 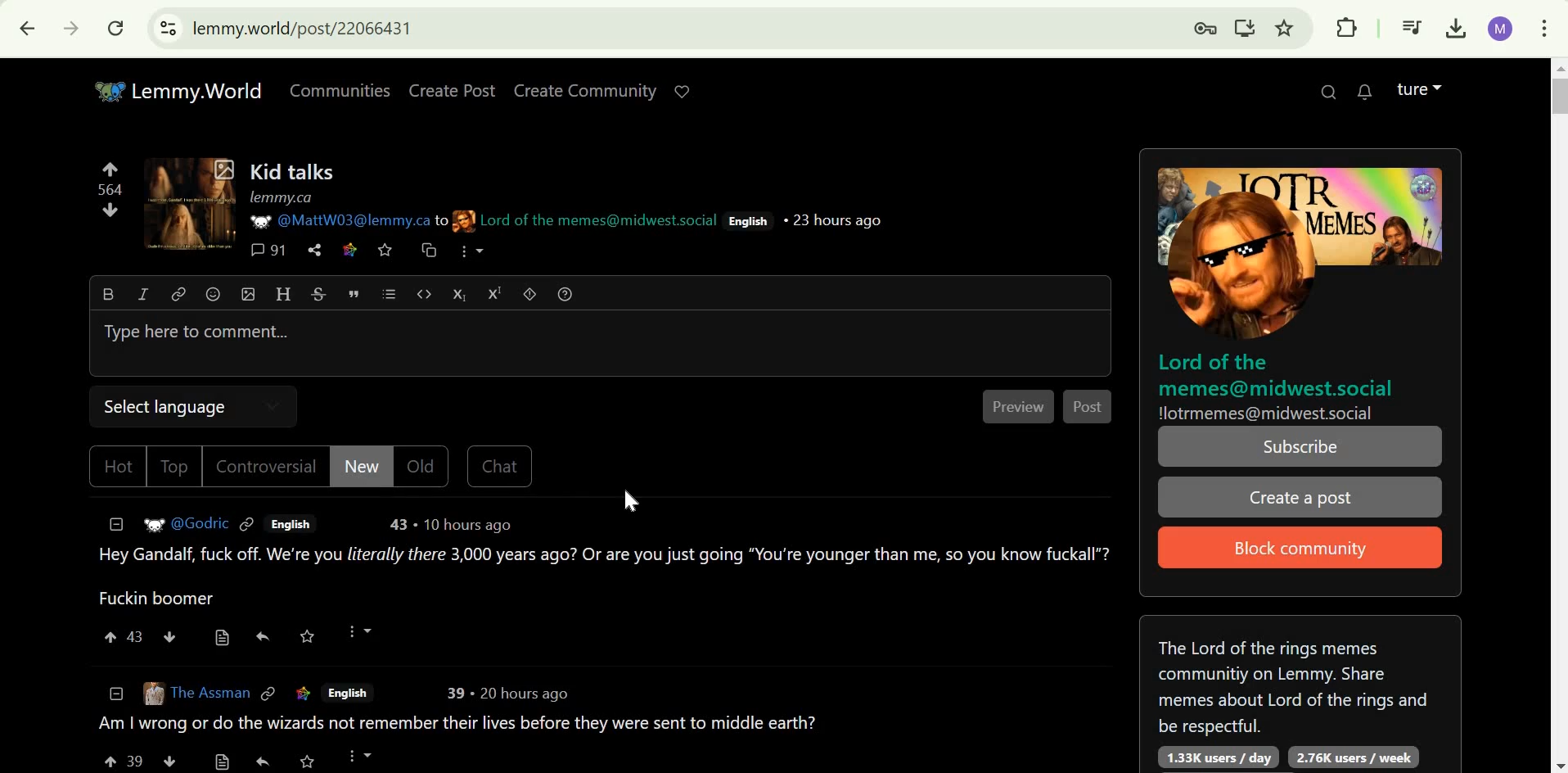 What do you see at coordinates (264, 635) in the screenshot?
I see `reply` at bounding box center [264, 635].